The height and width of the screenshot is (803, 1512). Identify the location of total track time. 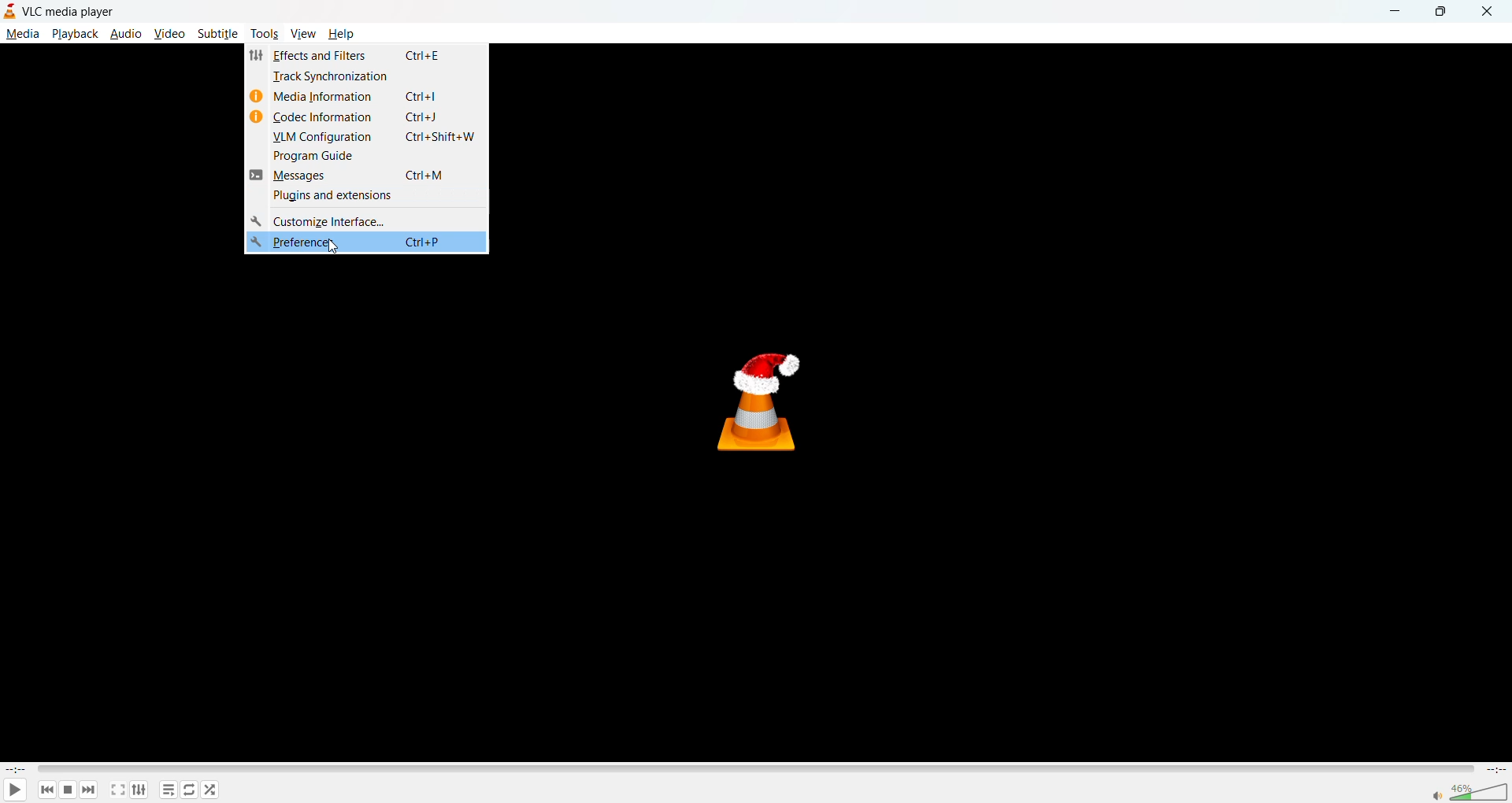
(1495, 769).